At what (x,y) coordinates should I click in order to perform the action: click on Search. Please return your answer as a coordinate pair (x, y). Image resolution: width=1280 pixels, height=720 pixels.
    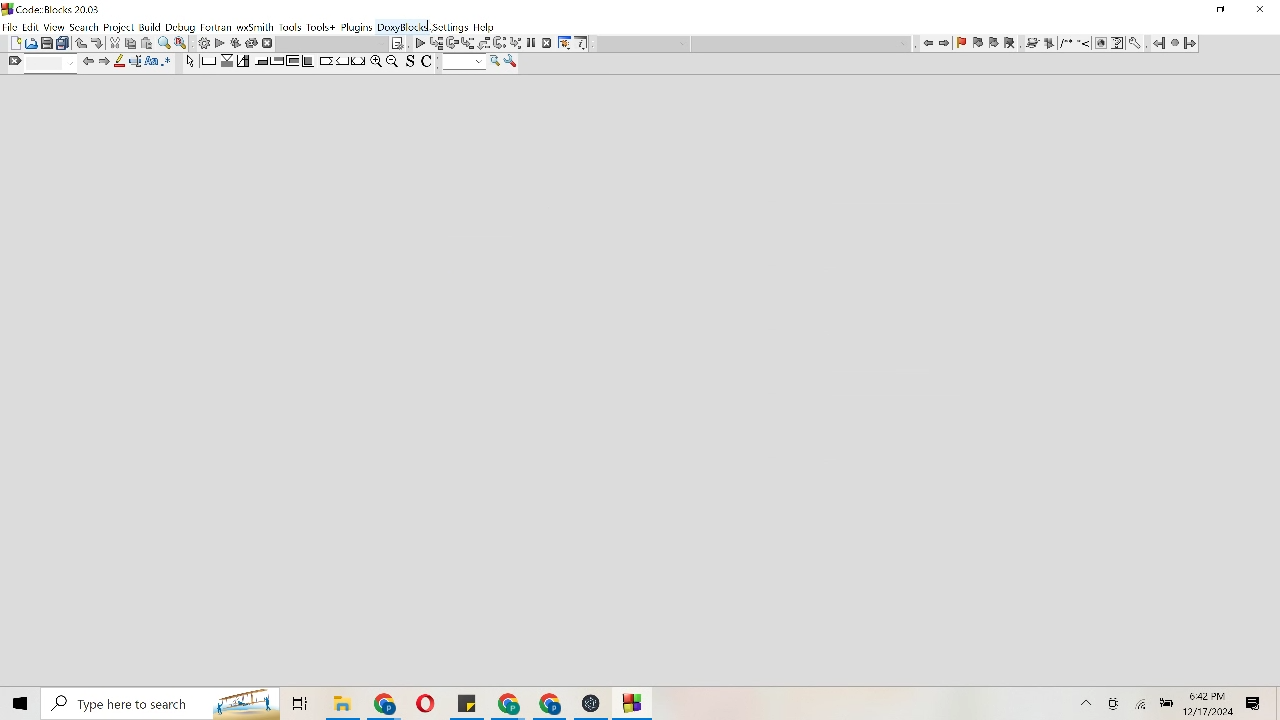
    Looking at the image, I should click on (84, 26).